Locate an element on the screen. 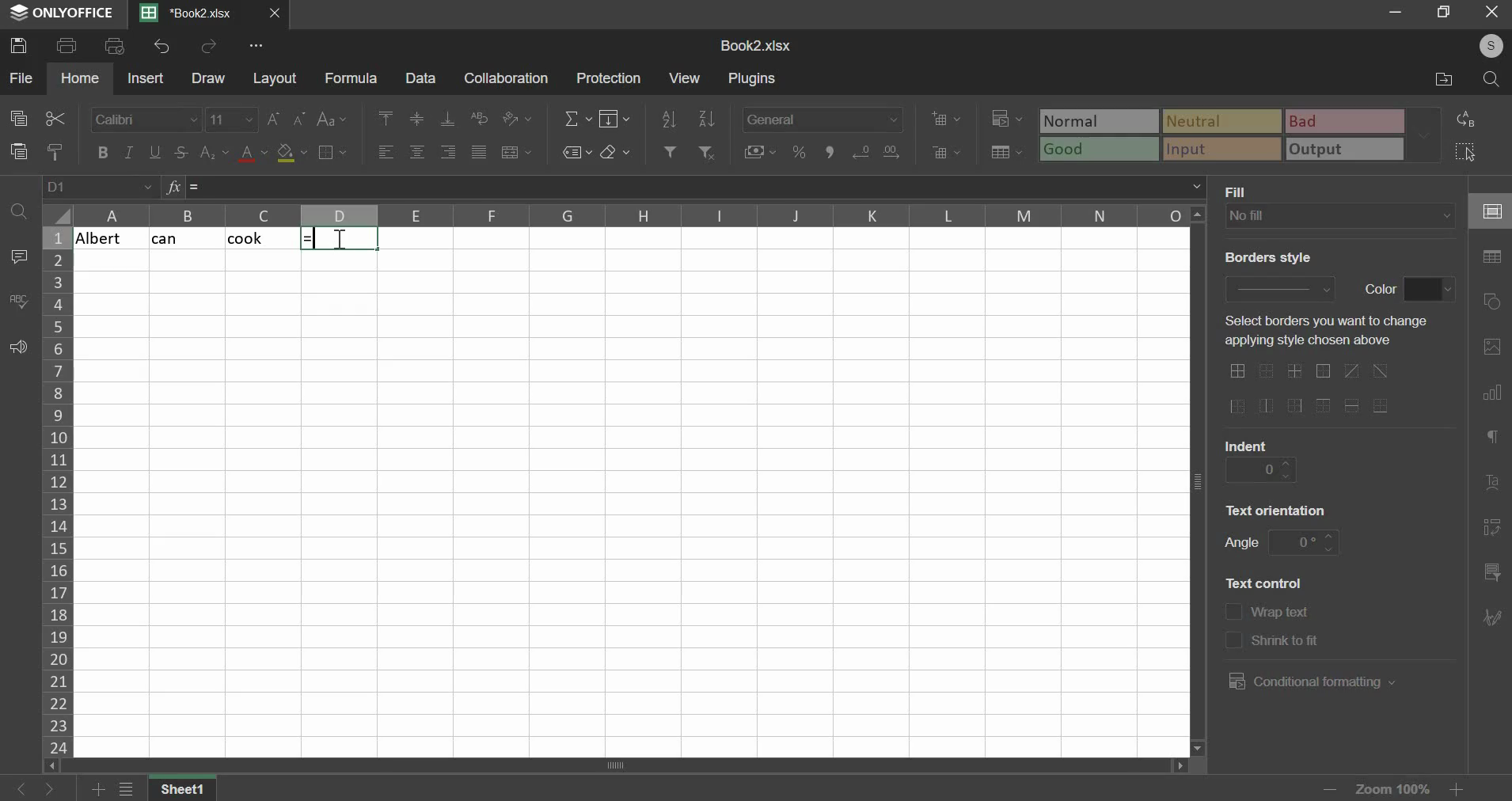 This screenshot has height=801, width=1512. subscript & superscript is located at coordinates (214, 151).